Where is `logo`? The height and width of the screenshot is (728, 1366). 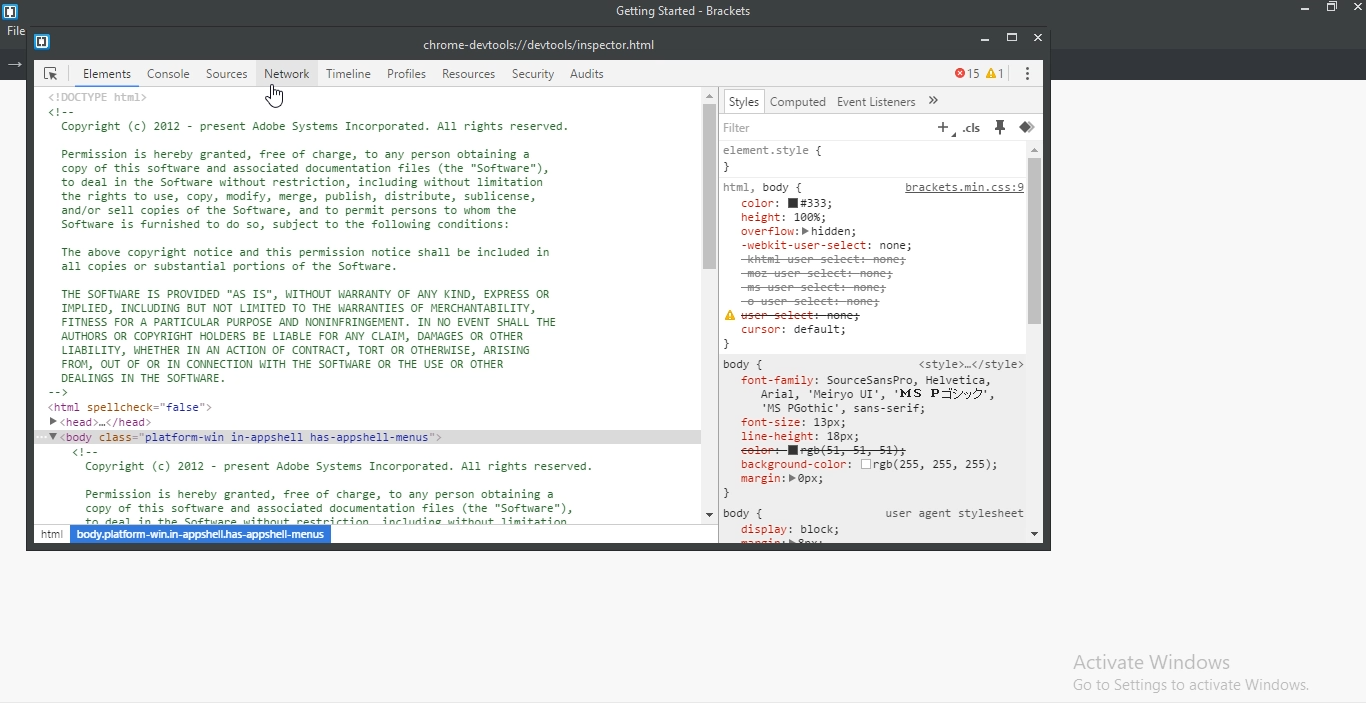
logo is located at coordinates (43, 39).